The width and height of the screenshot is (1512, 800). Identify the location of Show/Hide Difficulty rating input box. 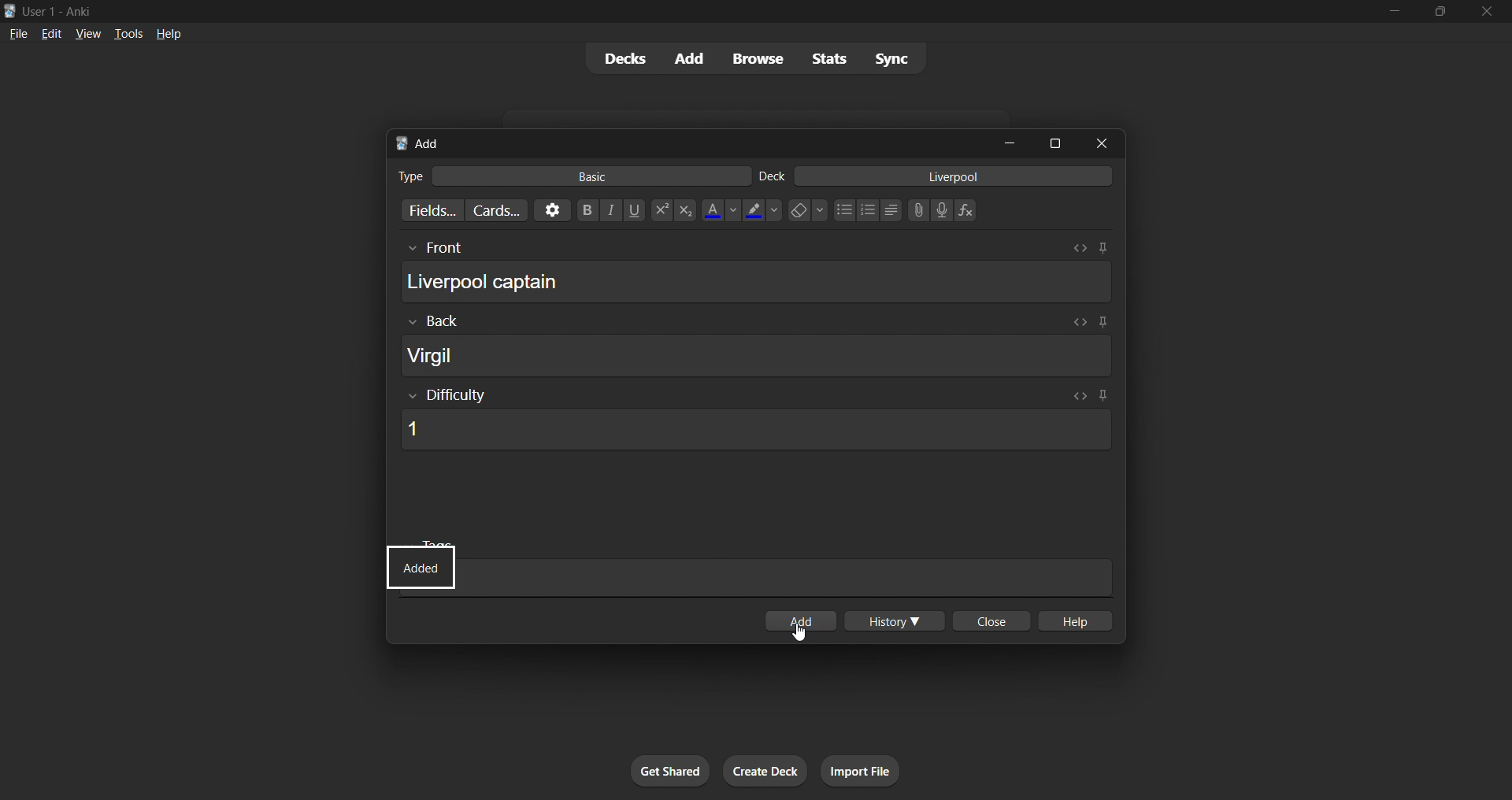
(447, 395).